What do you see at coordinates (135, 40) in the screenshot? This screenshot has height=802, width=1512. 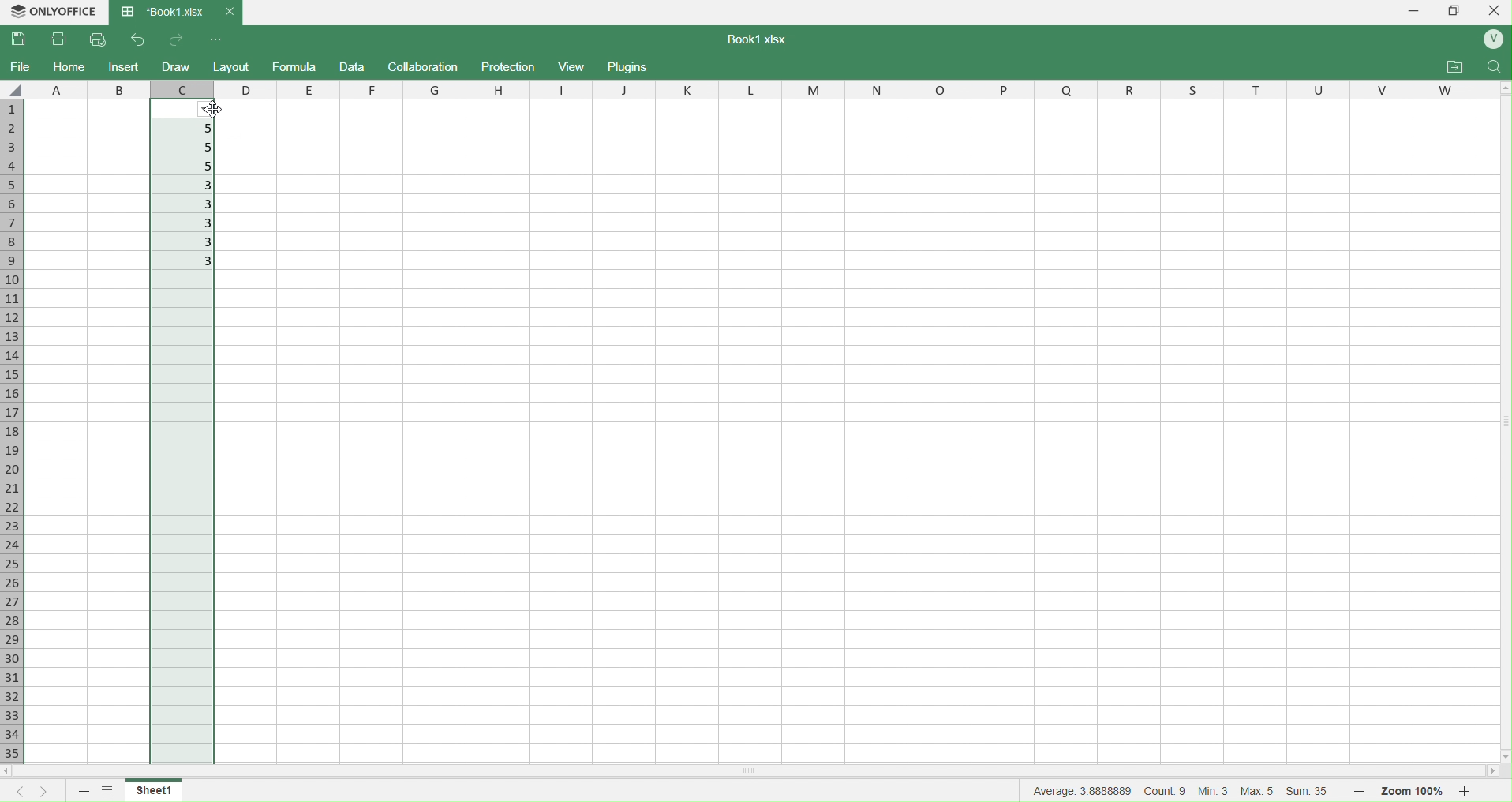 I see `undo` at bounding box center [135, 40].